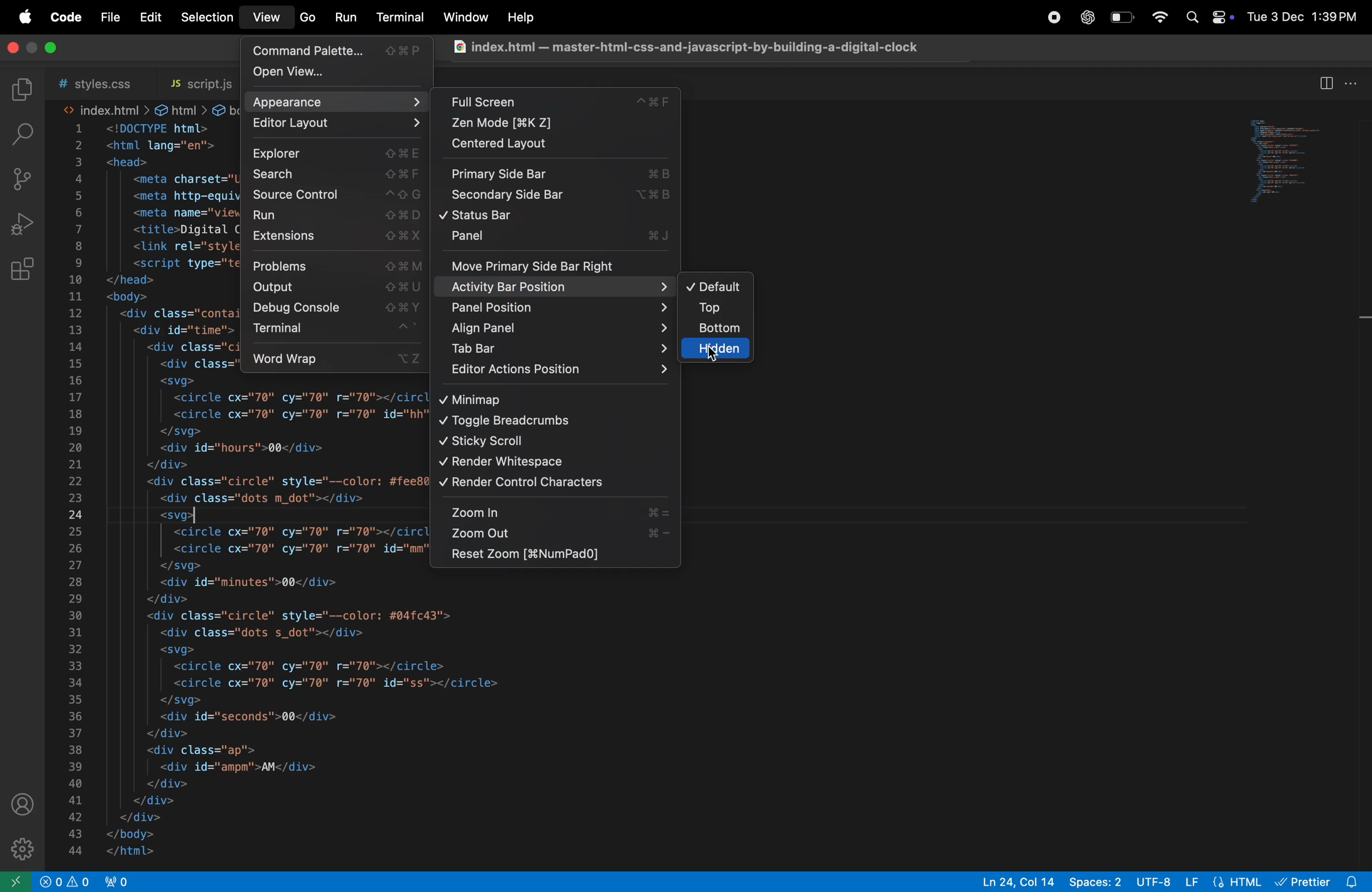 This screenshot has height=892, width=1372. I want to click on zoom out, so click(554, 534).